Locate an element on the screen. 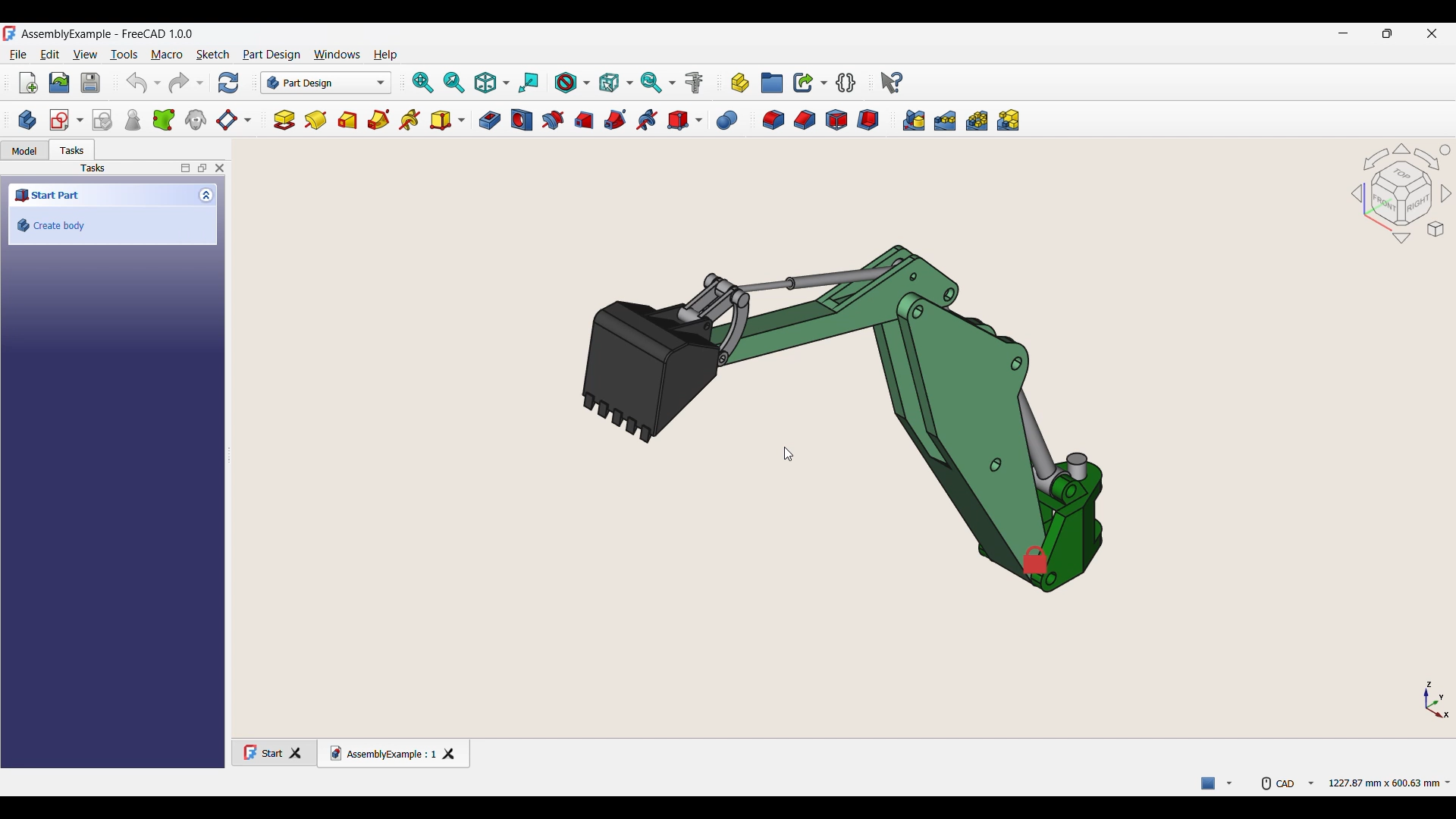  Sync view options is located at coordinates (659, 83).